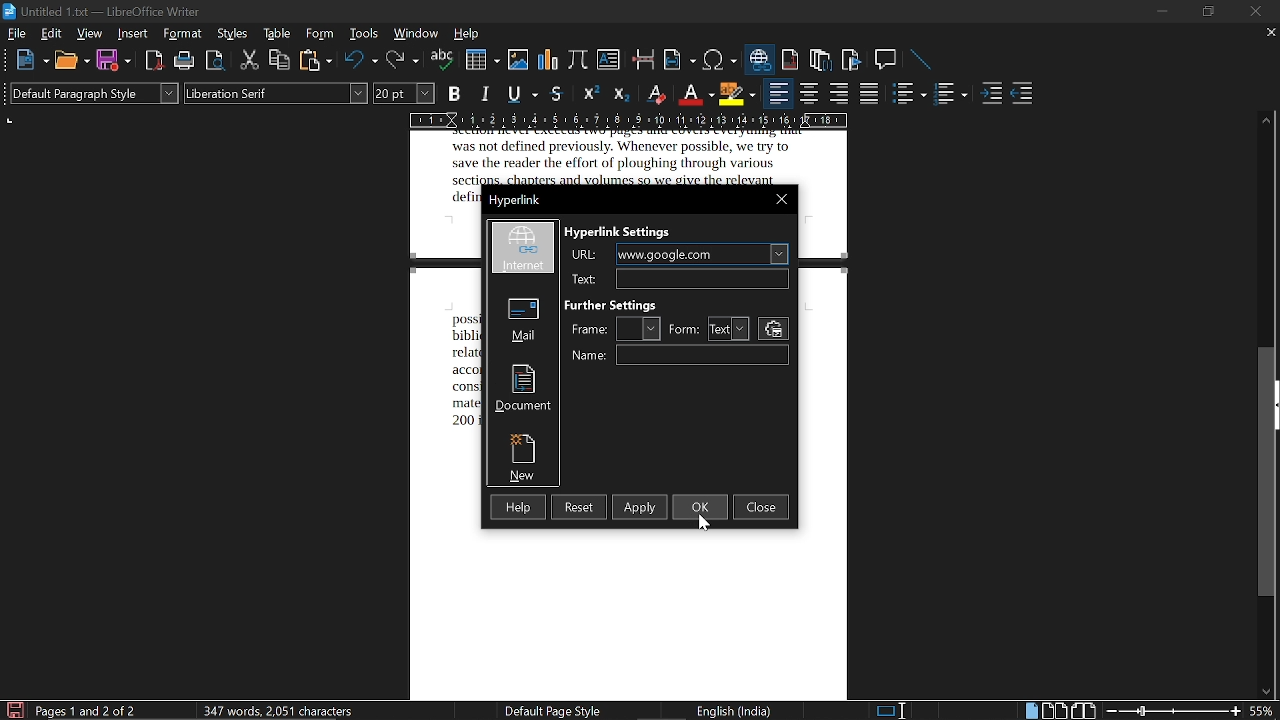 The width and height of the screenshot is (1280, 720). What do you see at coordinates (1172, 711) in the screenshot?
I see `change zoom` at bounding box center [1172, 711].